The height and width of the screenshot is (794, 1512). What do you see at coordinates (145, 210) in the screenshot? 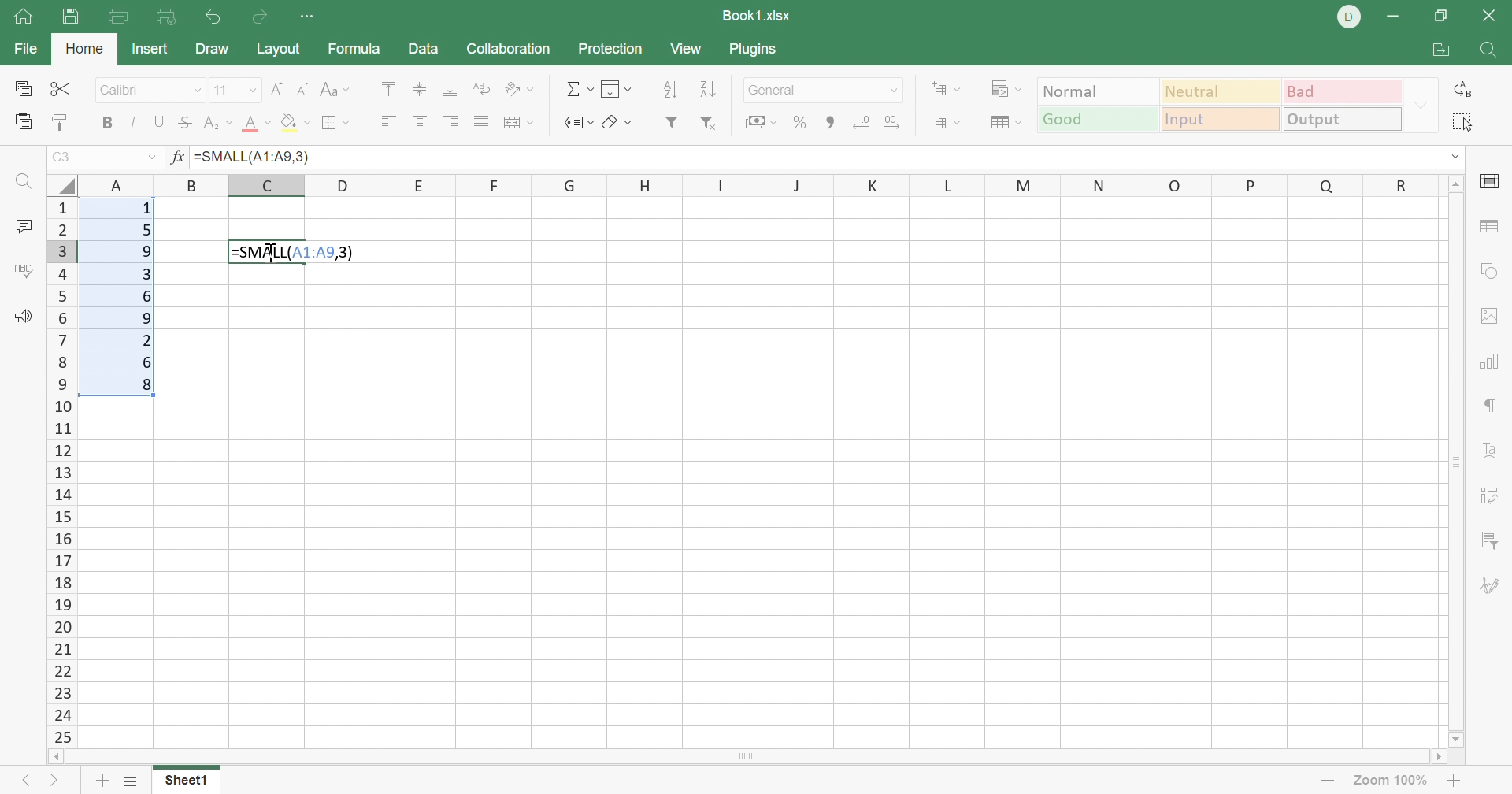
I see `1` at bounding box center [145, 210].